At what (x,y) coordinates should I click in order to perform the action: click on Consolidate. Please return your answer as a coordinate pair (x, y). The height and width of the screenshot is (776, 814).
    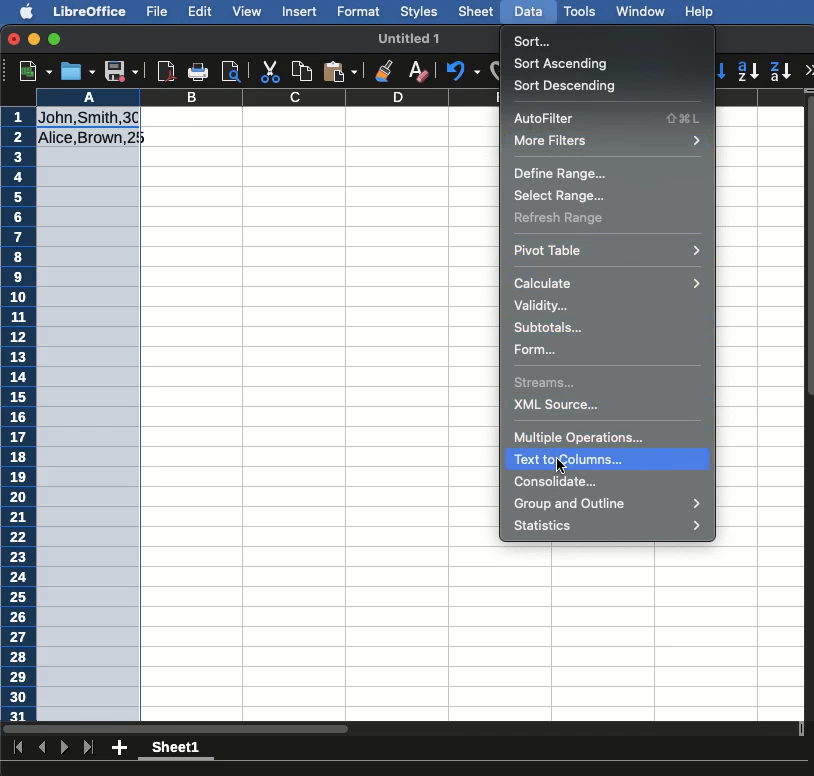
    Looking at the image, I should click on (557, 481).